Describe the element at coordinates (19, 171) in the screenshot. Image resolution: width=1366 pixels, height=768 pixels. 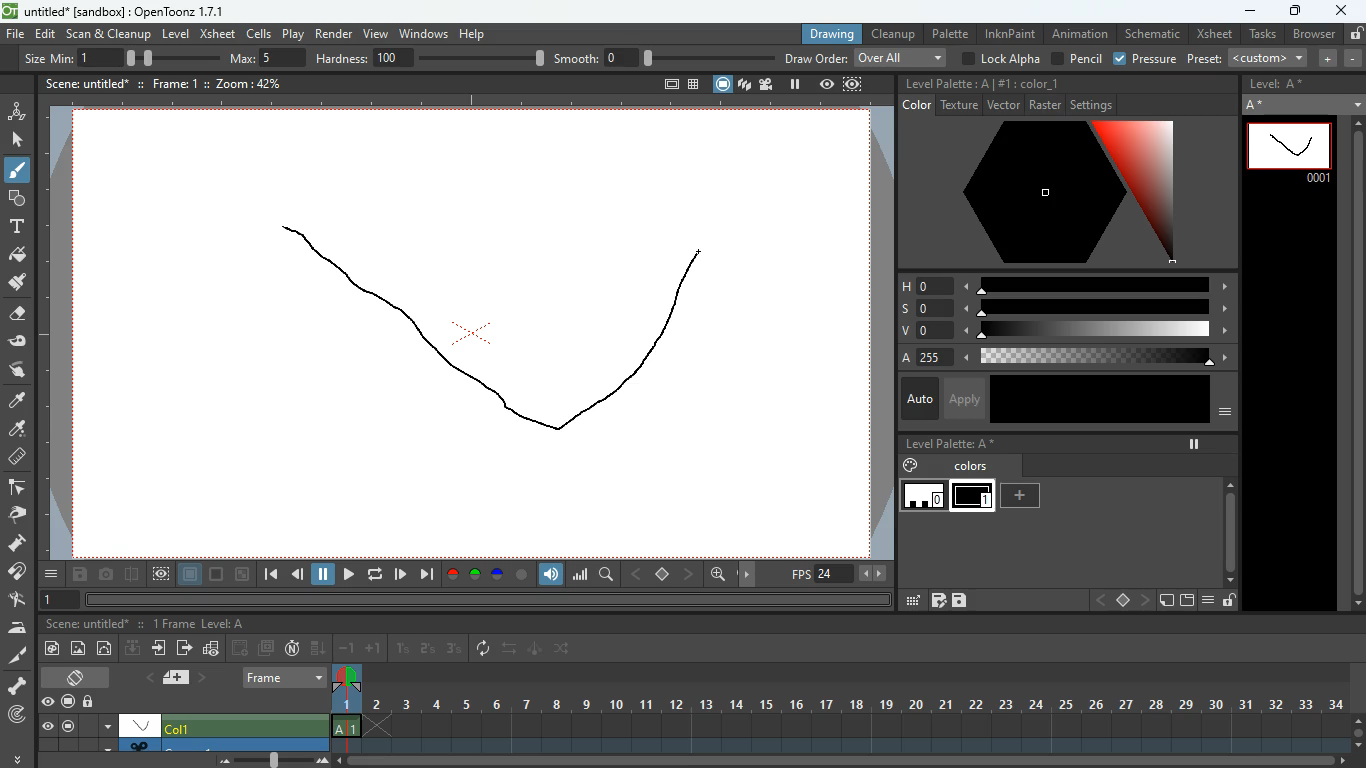
I see `brush` at that location.